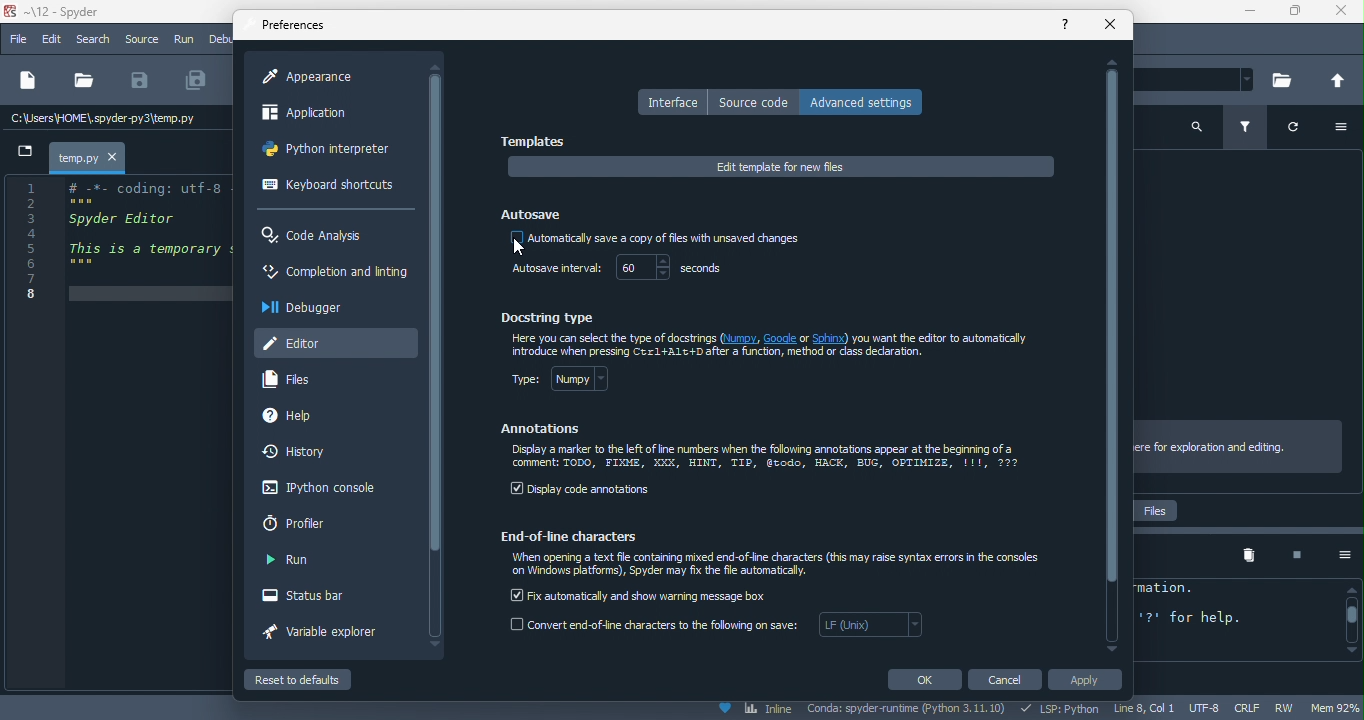 The image size is (1364, 720). What do you see at coordinates (767, 458) in the screenshot?
I see `text annotations` at bounding box center [767, 458].